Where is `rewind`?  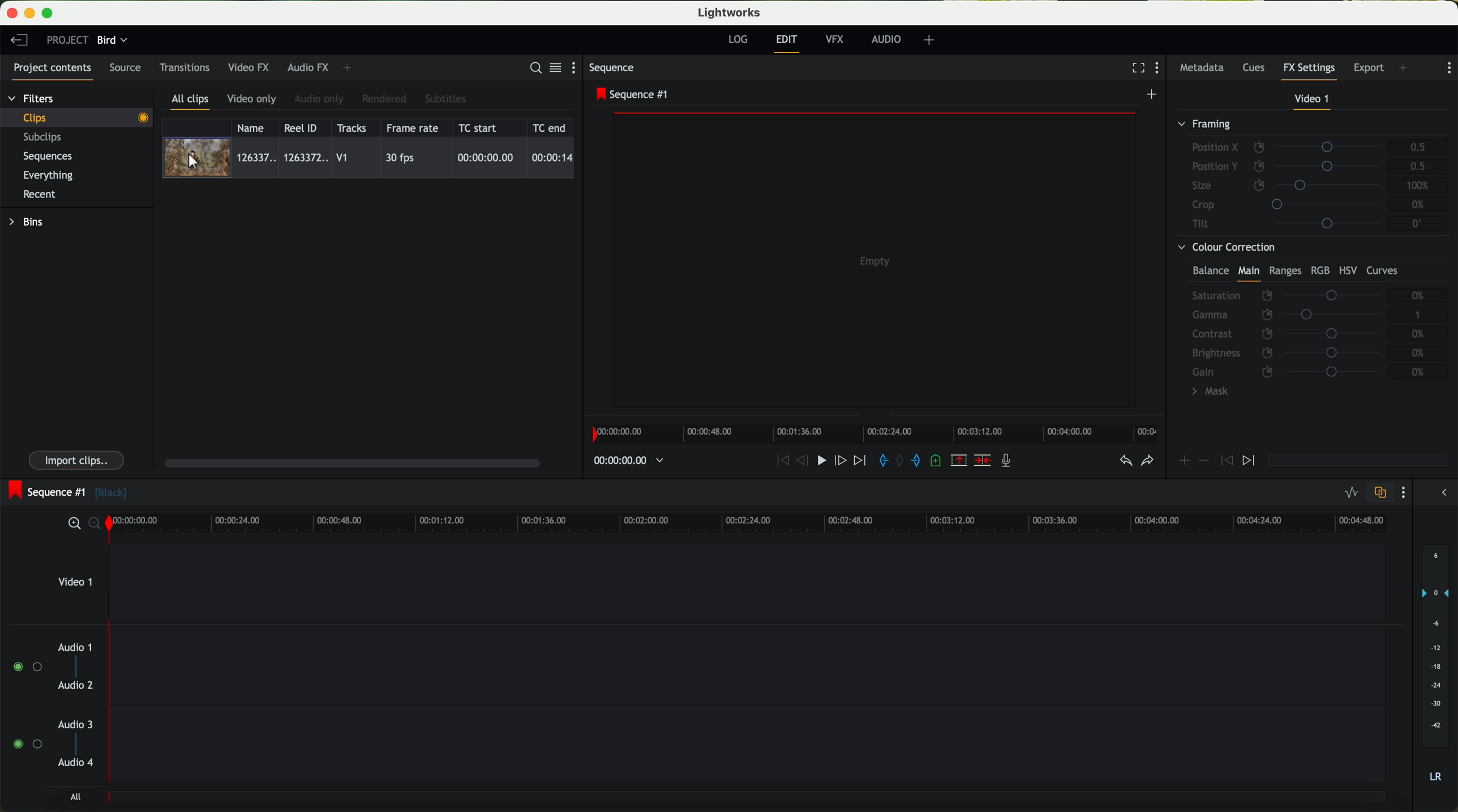
rewind is located at coordinates (782, 461).